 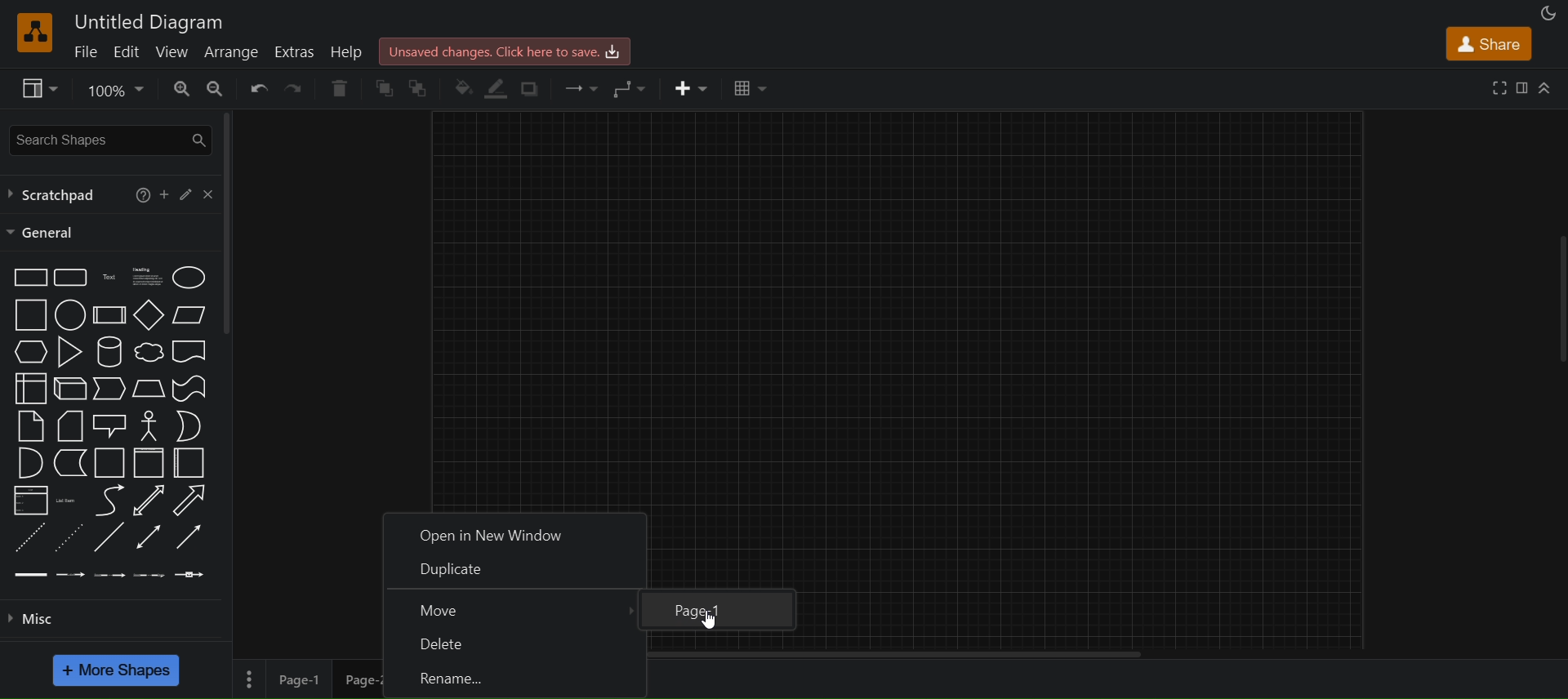 I want to click on link, so click(x=31, y=573).